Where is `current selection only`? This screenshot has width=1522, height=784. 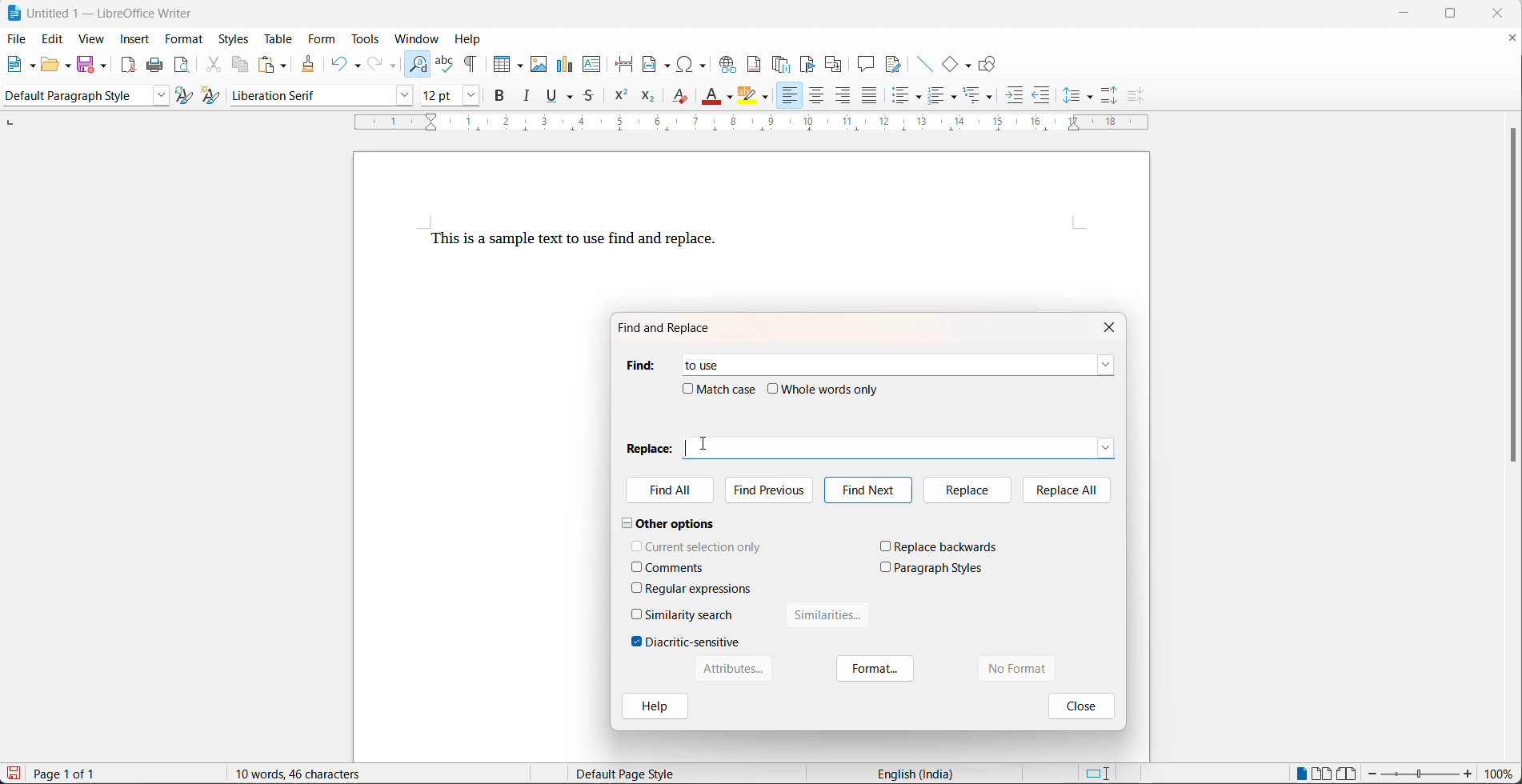
current selection only is located at coordinates (704, 546).